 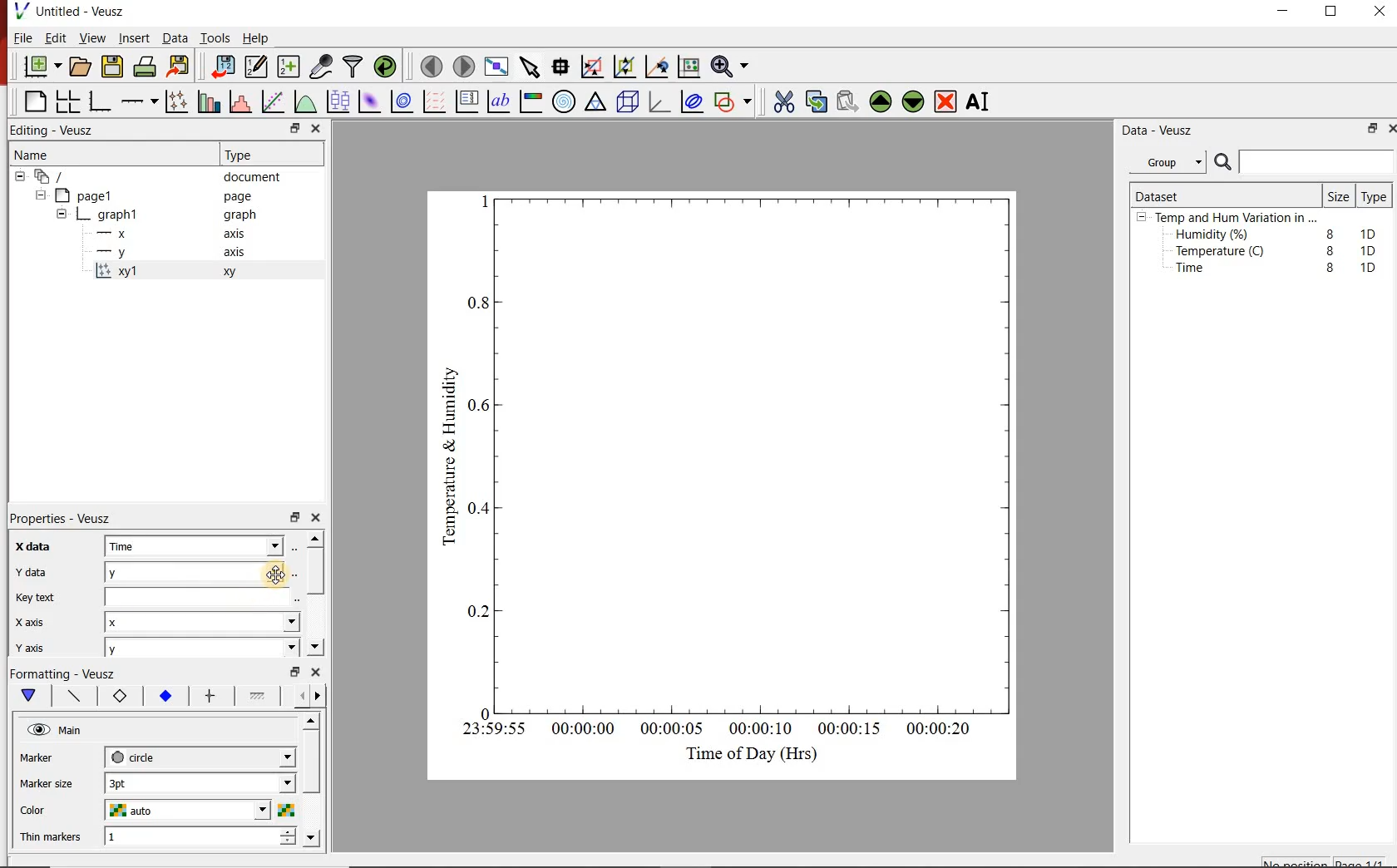 What do you see at coordinates (287, 833) in the screenshot?
I see `increase` at bounding box center [287, 833].